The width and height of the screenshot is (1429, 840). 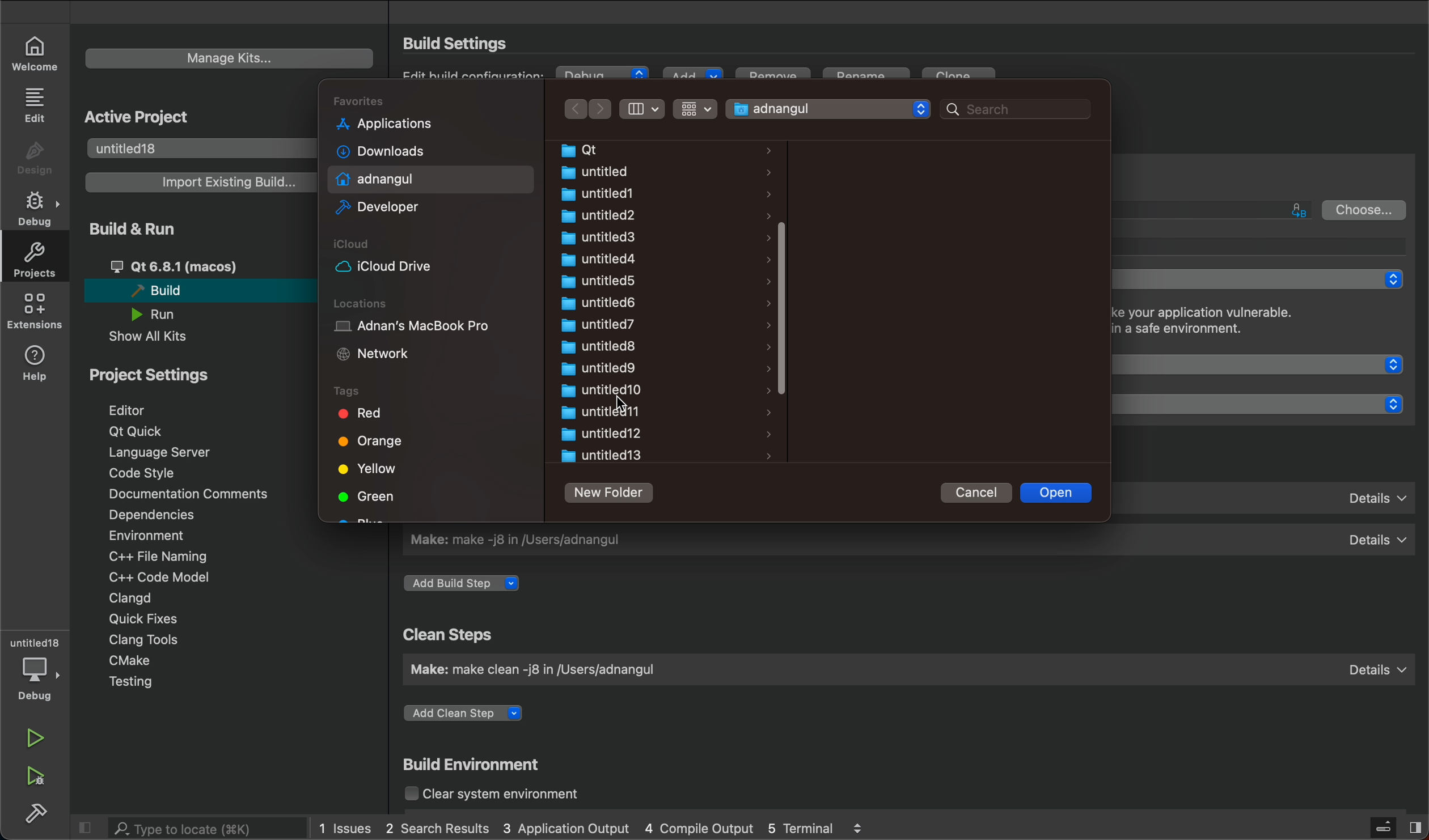 I want to click on untitled7, so click(x=654, y=325).